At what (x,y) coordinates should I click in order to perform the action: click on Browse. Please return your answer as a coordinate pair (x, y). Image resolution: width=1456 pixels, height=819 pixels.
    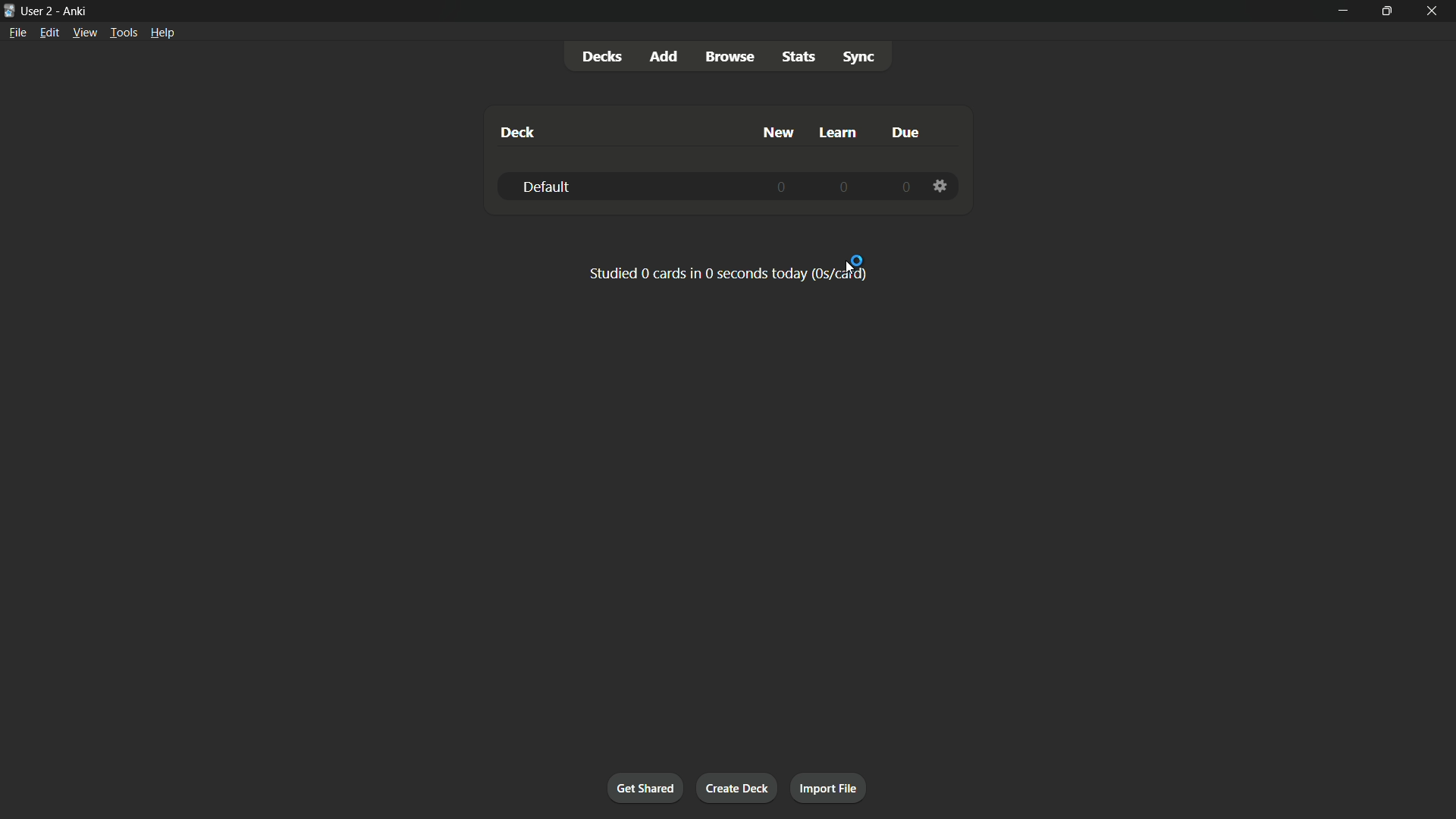
    Looking at the image, I should click on (732, 57).